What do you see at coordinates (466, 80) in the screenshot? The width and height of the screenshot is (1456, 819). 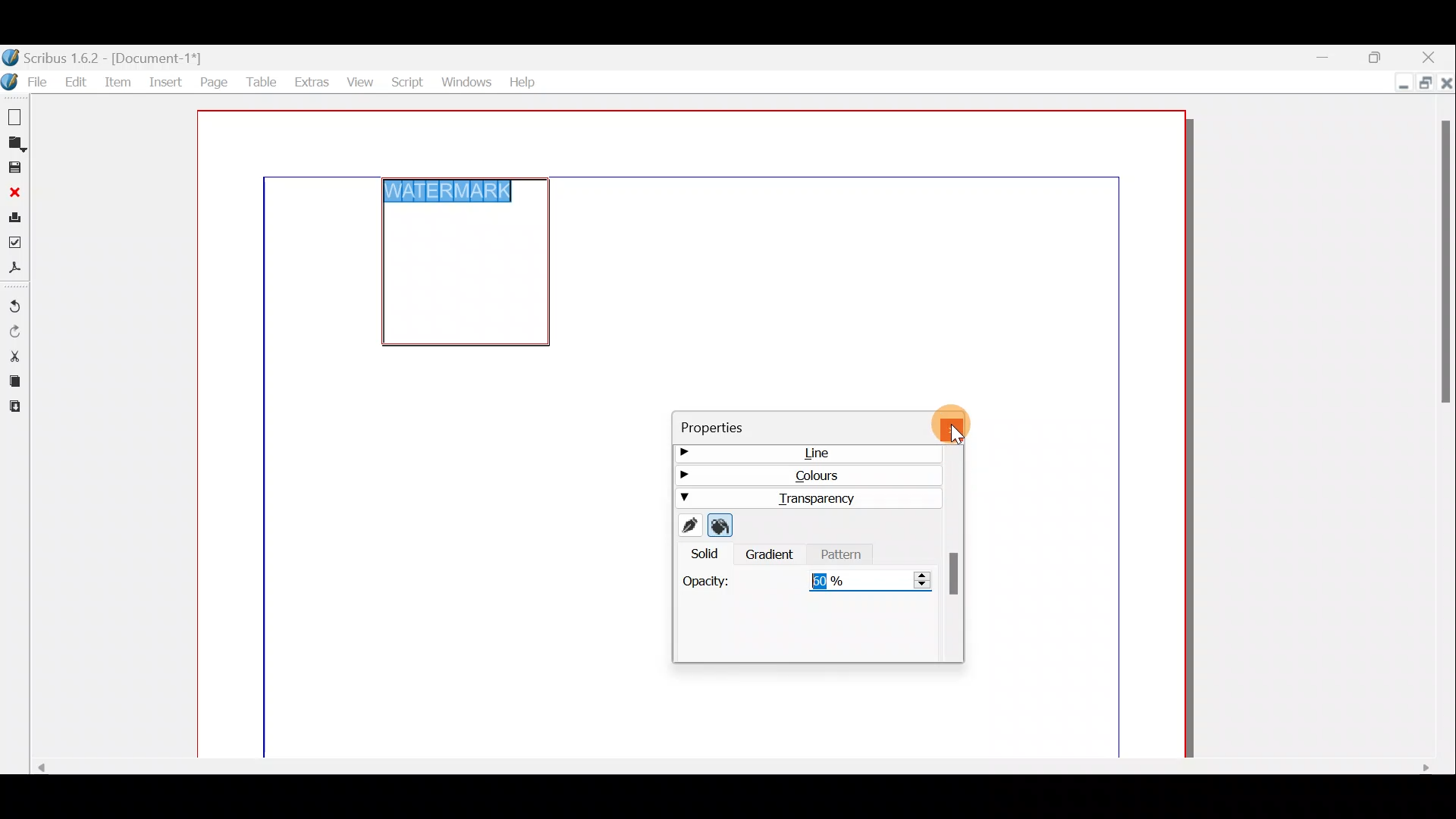 I see `Windows` at bounding box center [466, 80].